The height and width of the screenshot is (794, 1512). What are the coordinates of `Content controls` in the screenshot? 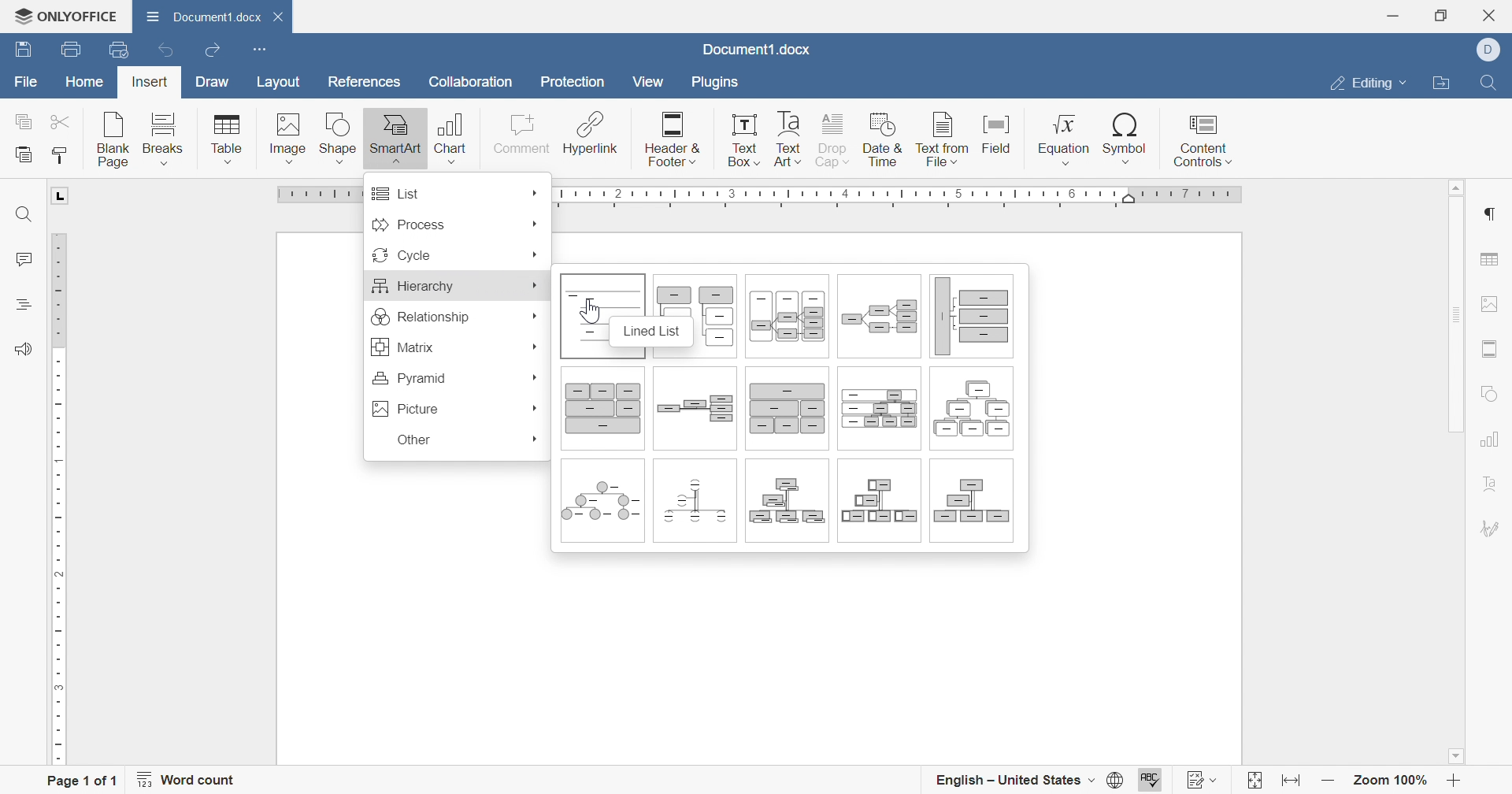 It's located at (1206, 141).